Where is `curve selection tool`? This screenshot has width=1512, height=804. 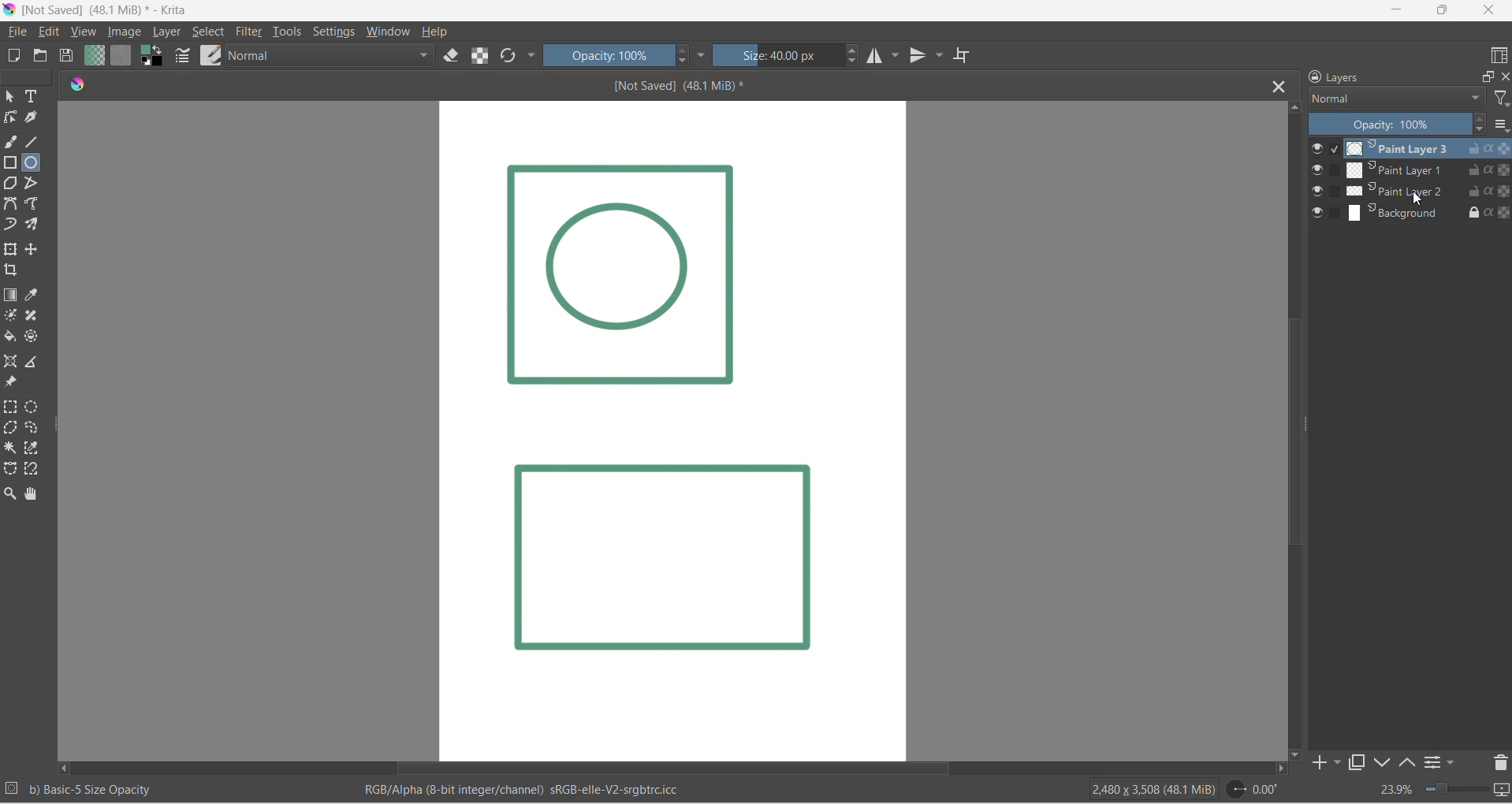
curve selection tool is located at coordinates (10, 470).